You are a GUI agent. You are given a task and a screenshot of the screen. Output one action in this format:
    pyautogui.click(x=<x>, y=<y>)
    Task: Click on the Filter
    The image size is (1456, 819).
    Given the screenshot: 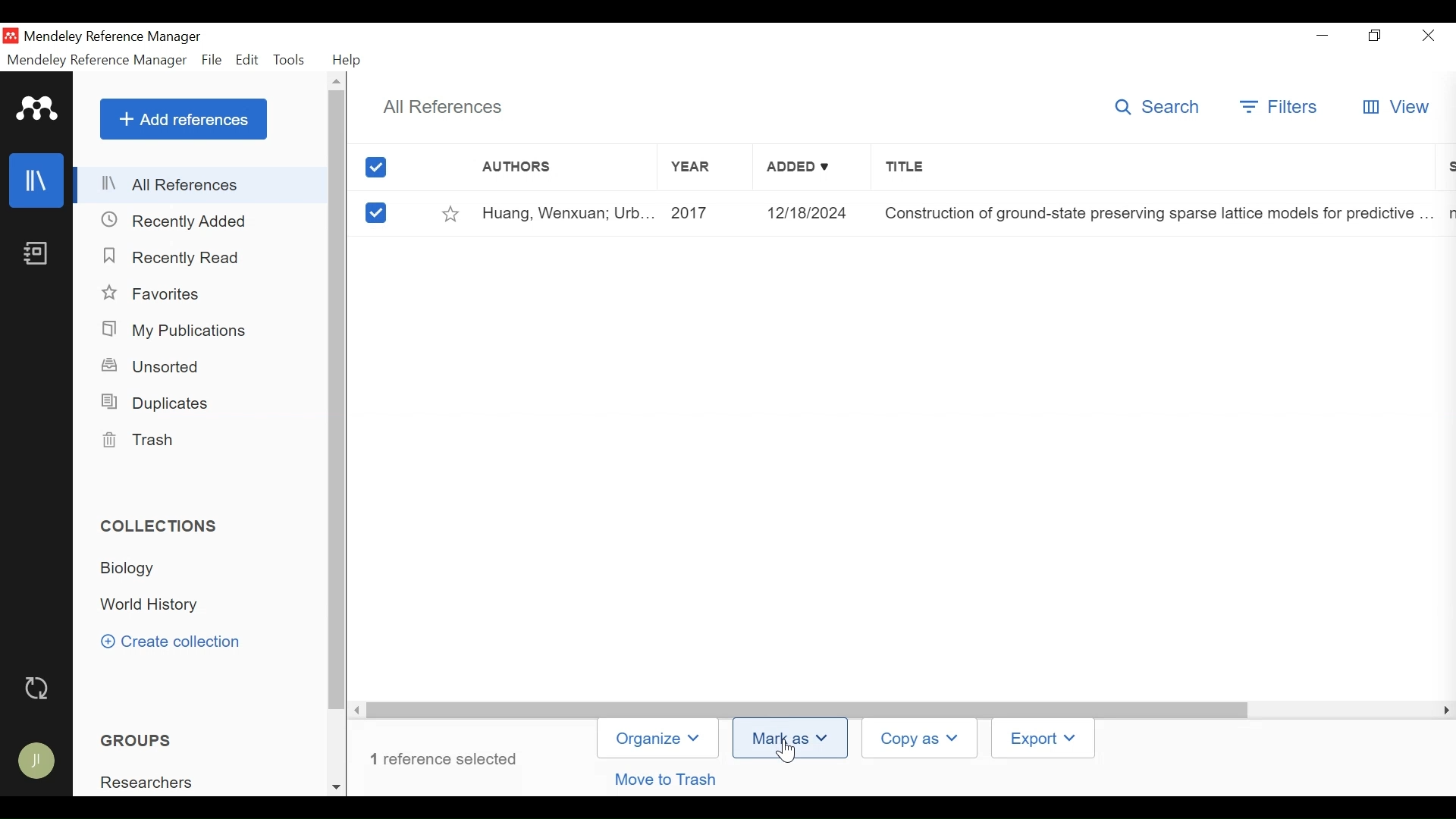 What is the action you would take?
    pyautogui.click(x=1272, y=108)
    